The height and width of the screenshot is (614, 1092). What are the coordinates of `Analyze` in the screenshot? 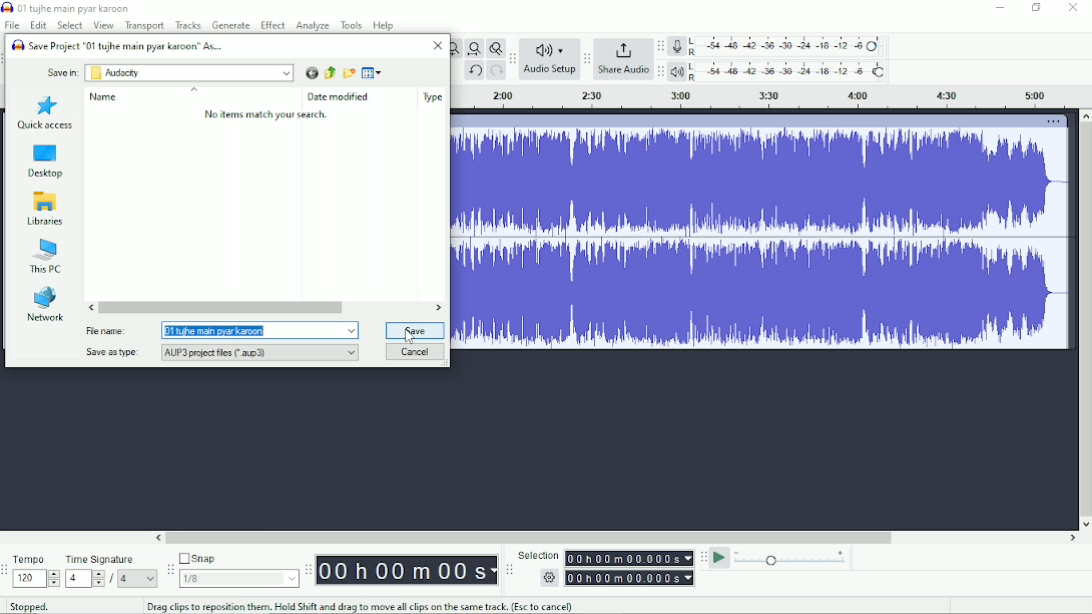 It's located at (313, 25).